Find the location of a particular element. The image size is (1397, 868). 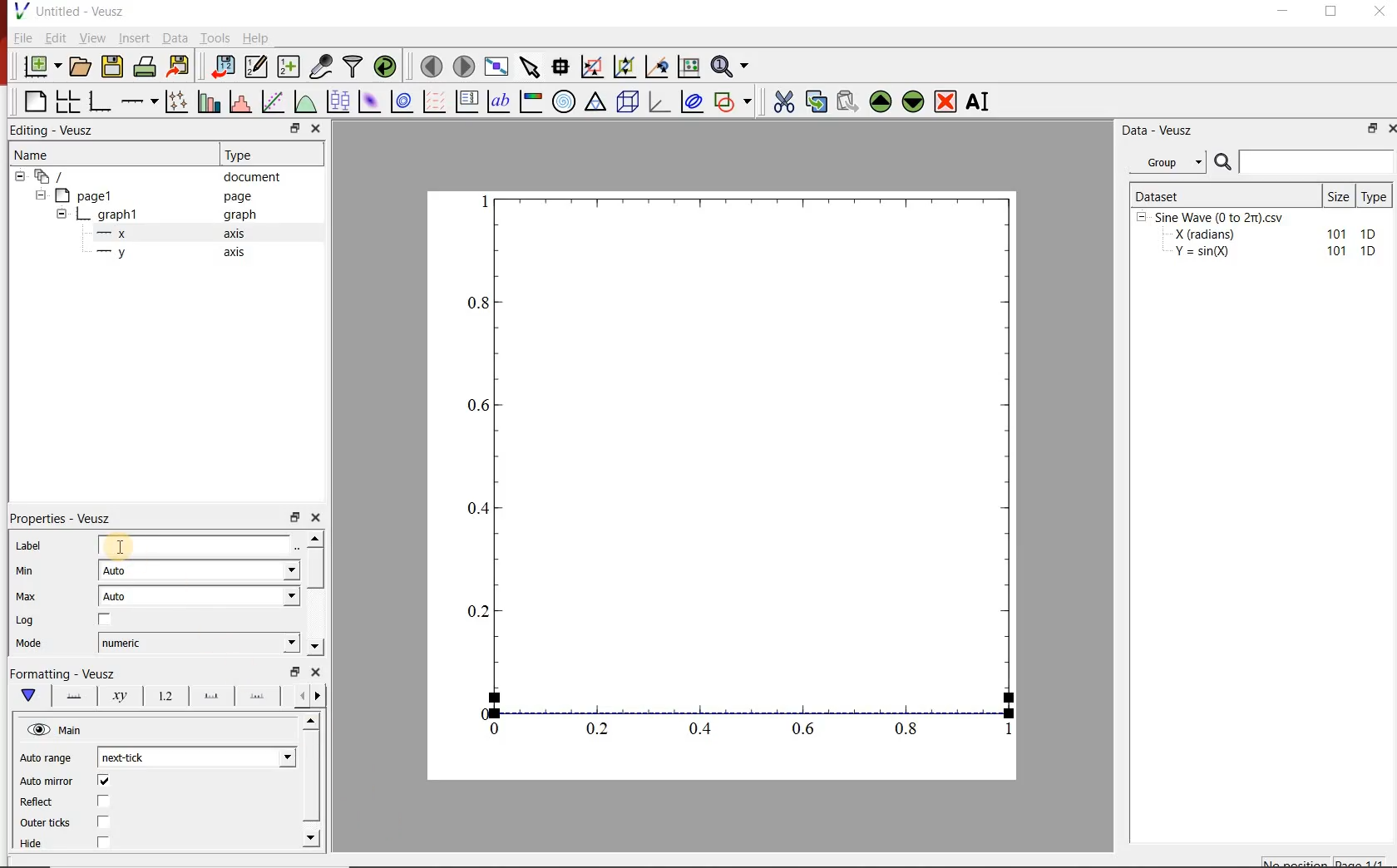

File is located at coordinates (23, 37).